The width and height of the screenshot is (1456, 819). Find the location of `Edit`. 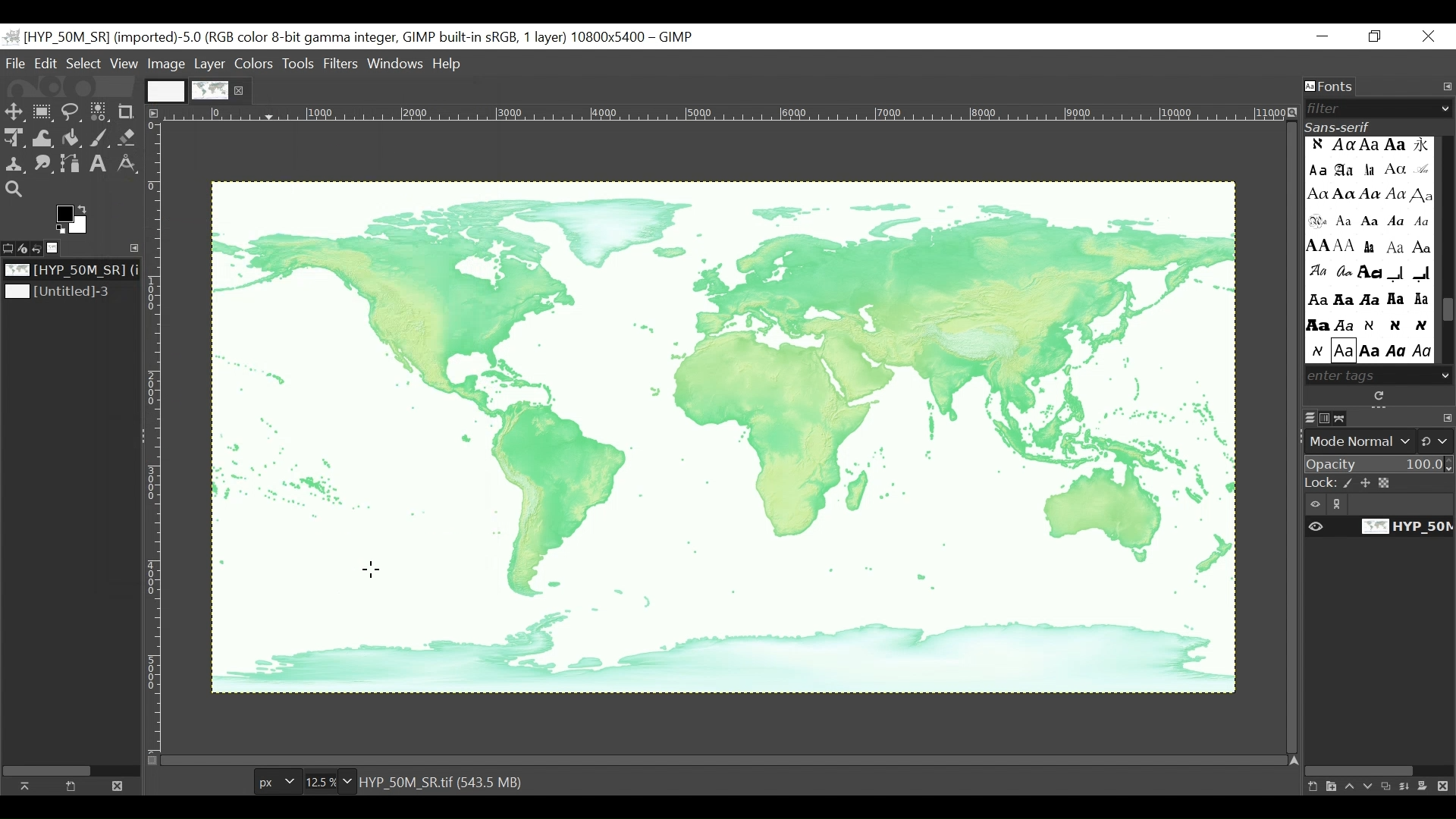

Edit is located at coordinates (47, 64).